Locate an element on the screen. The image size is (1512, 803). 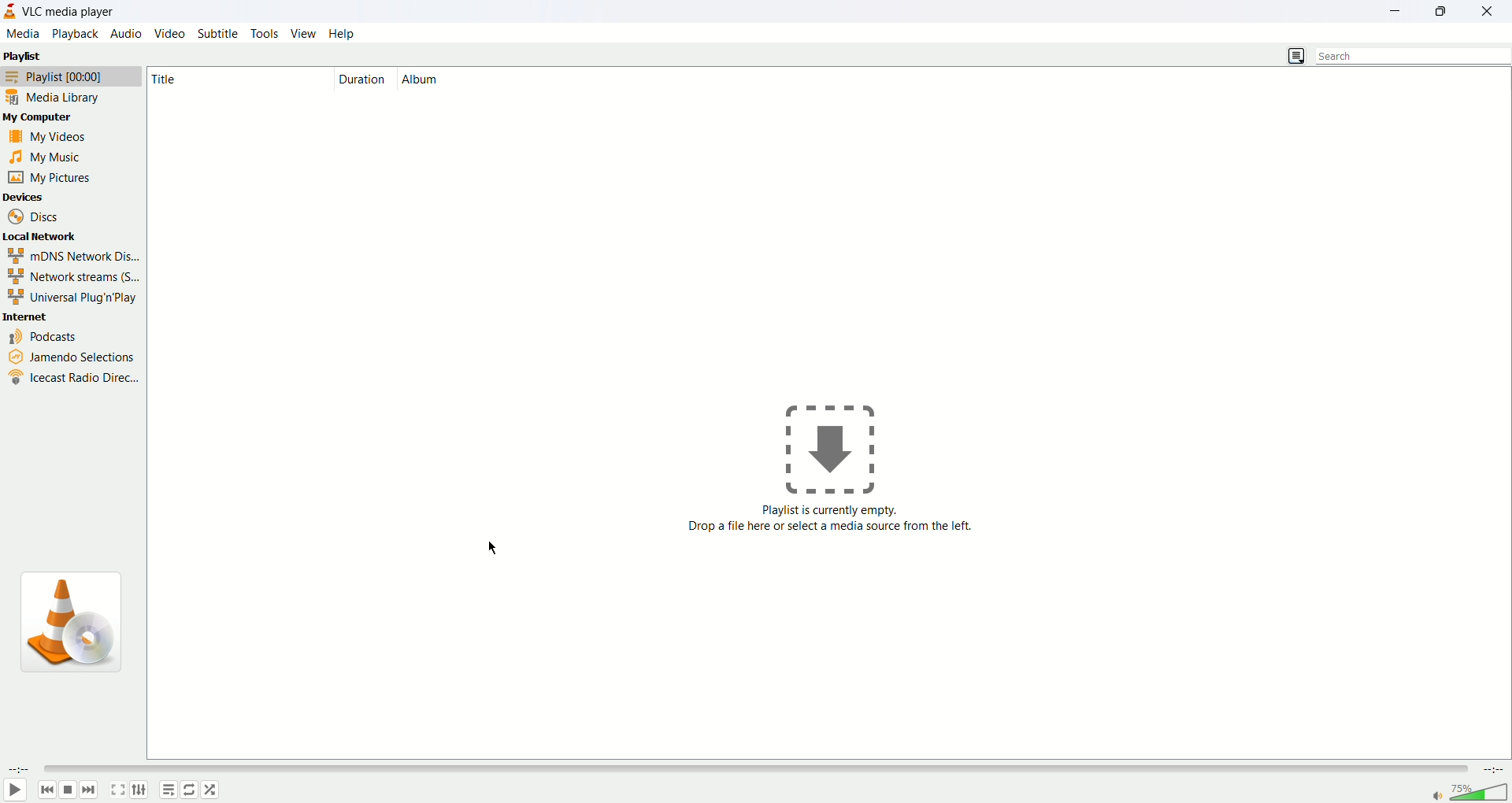
list view is located at coordinates (1296, 56).